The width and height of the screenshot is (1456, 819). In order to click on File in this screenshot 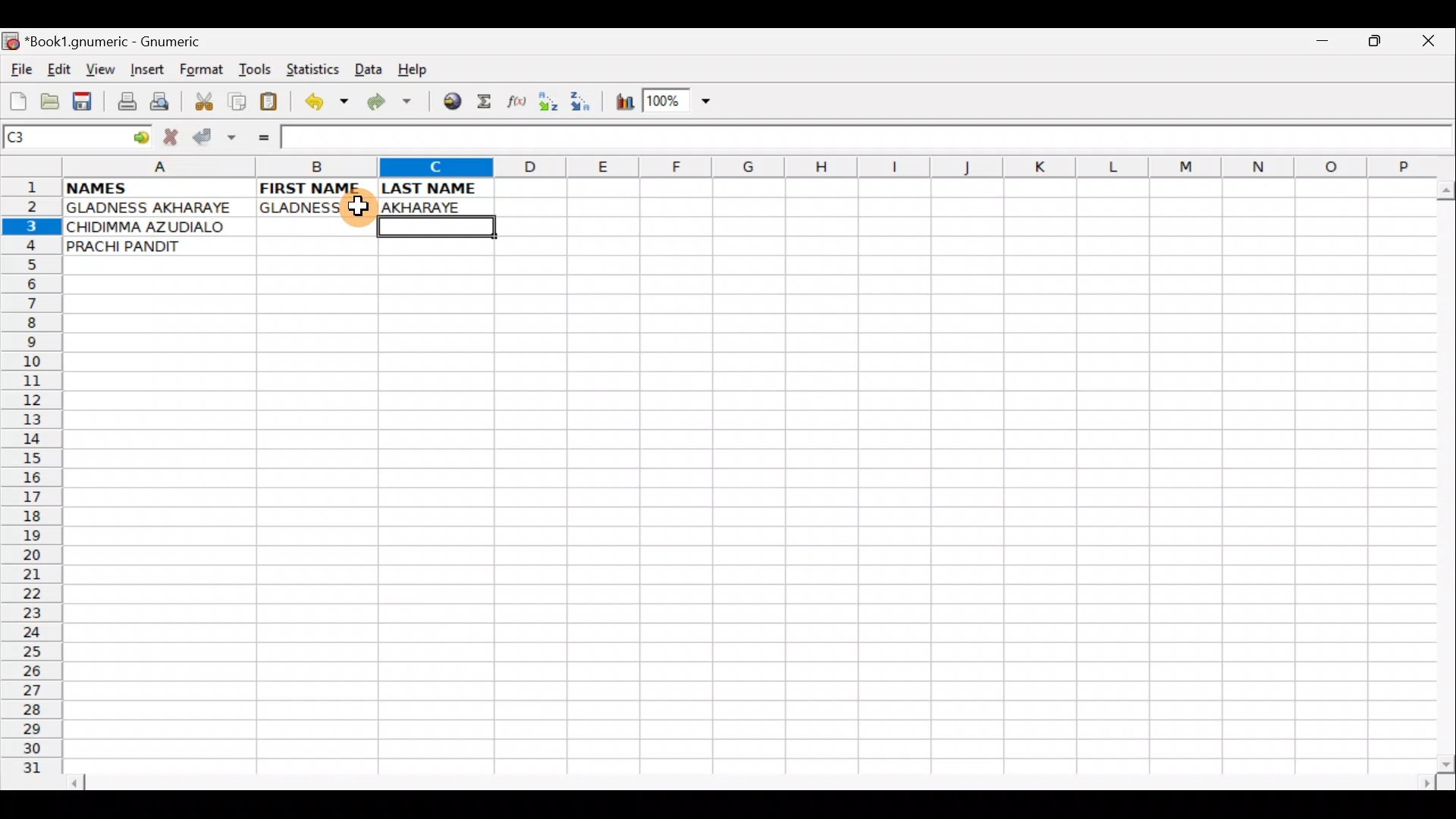, I will do `click(20, 71)`.